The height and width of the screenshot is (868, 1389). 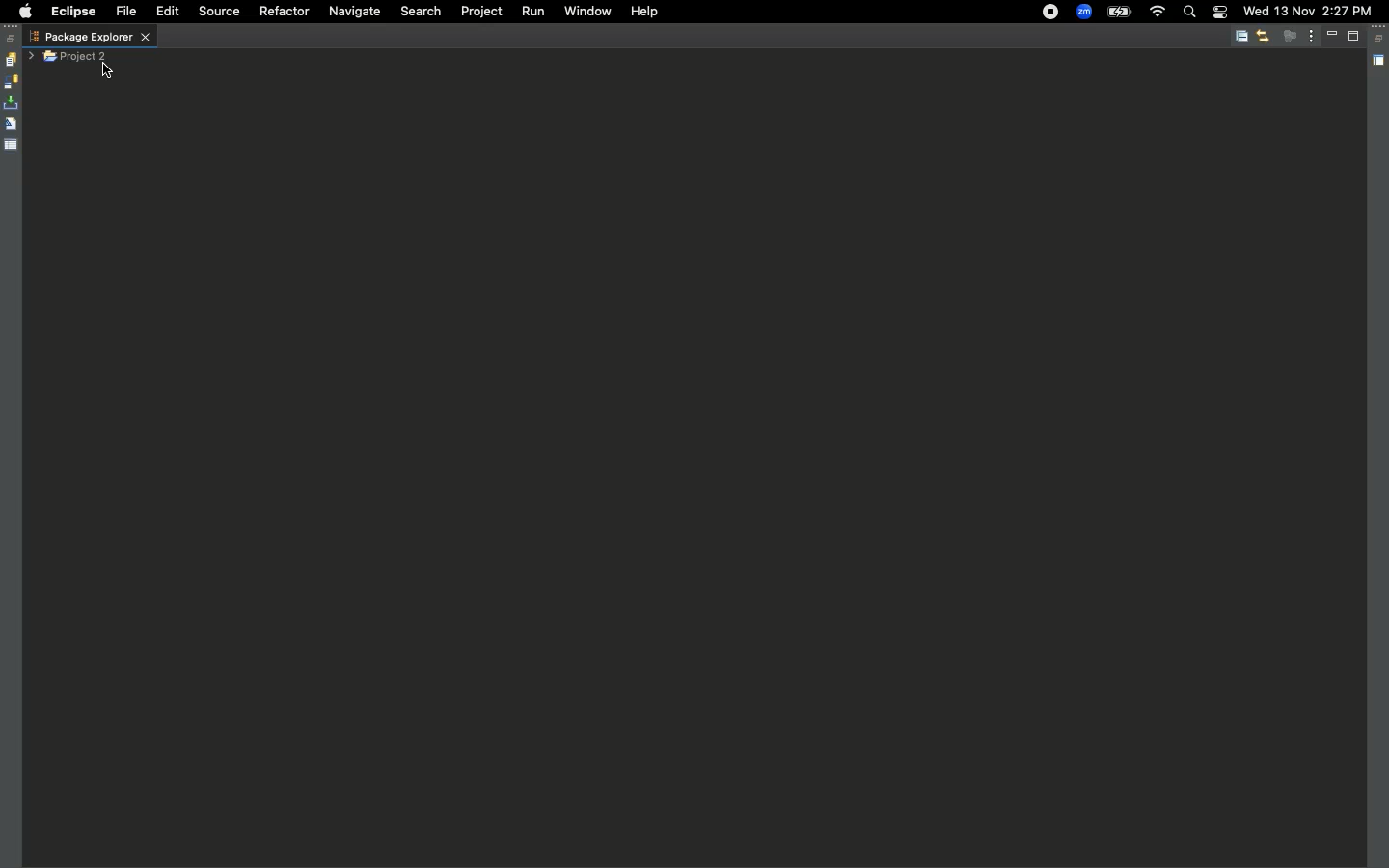 What do you see at coordinates (353, 13) in the screenshot?
I see `Navigate` at bounding box center [353, 13].